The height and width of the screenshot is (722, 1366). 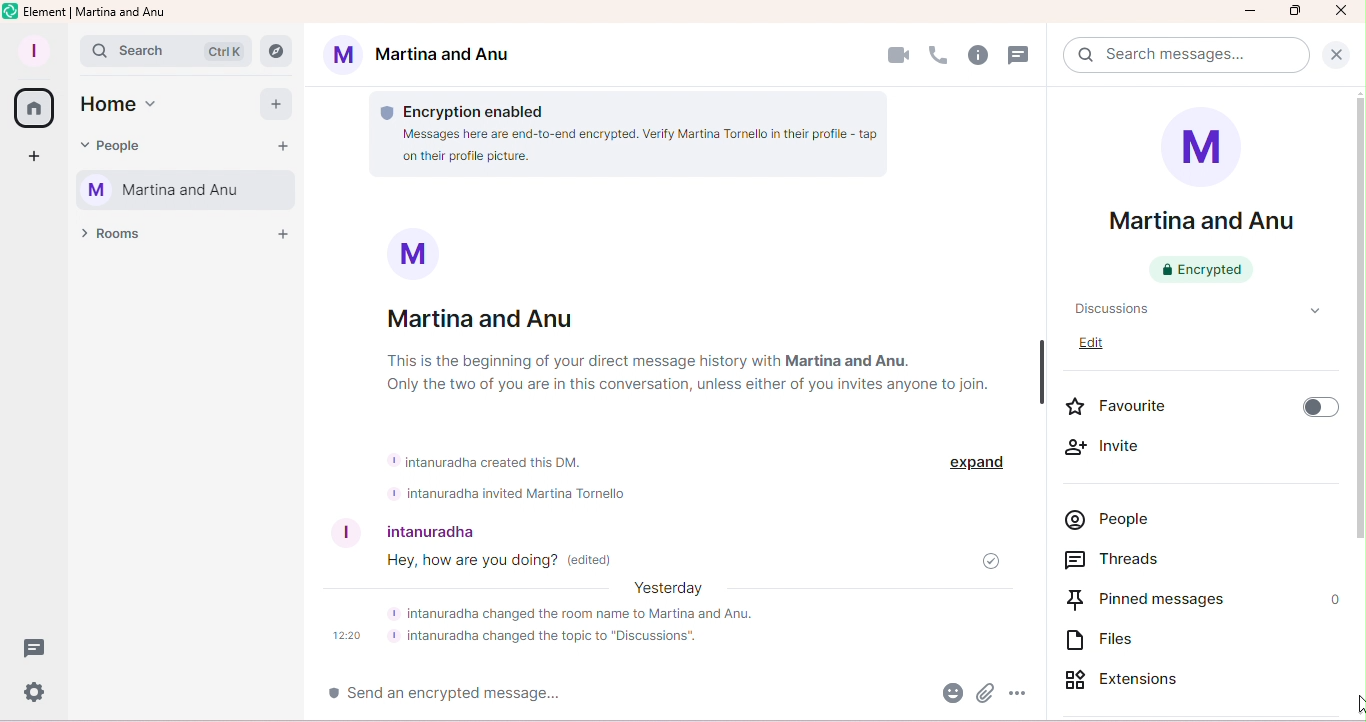 What do you see at coordinates (400, 253) in the screenshot?
I see `Information` at bounding box center [400, 253].